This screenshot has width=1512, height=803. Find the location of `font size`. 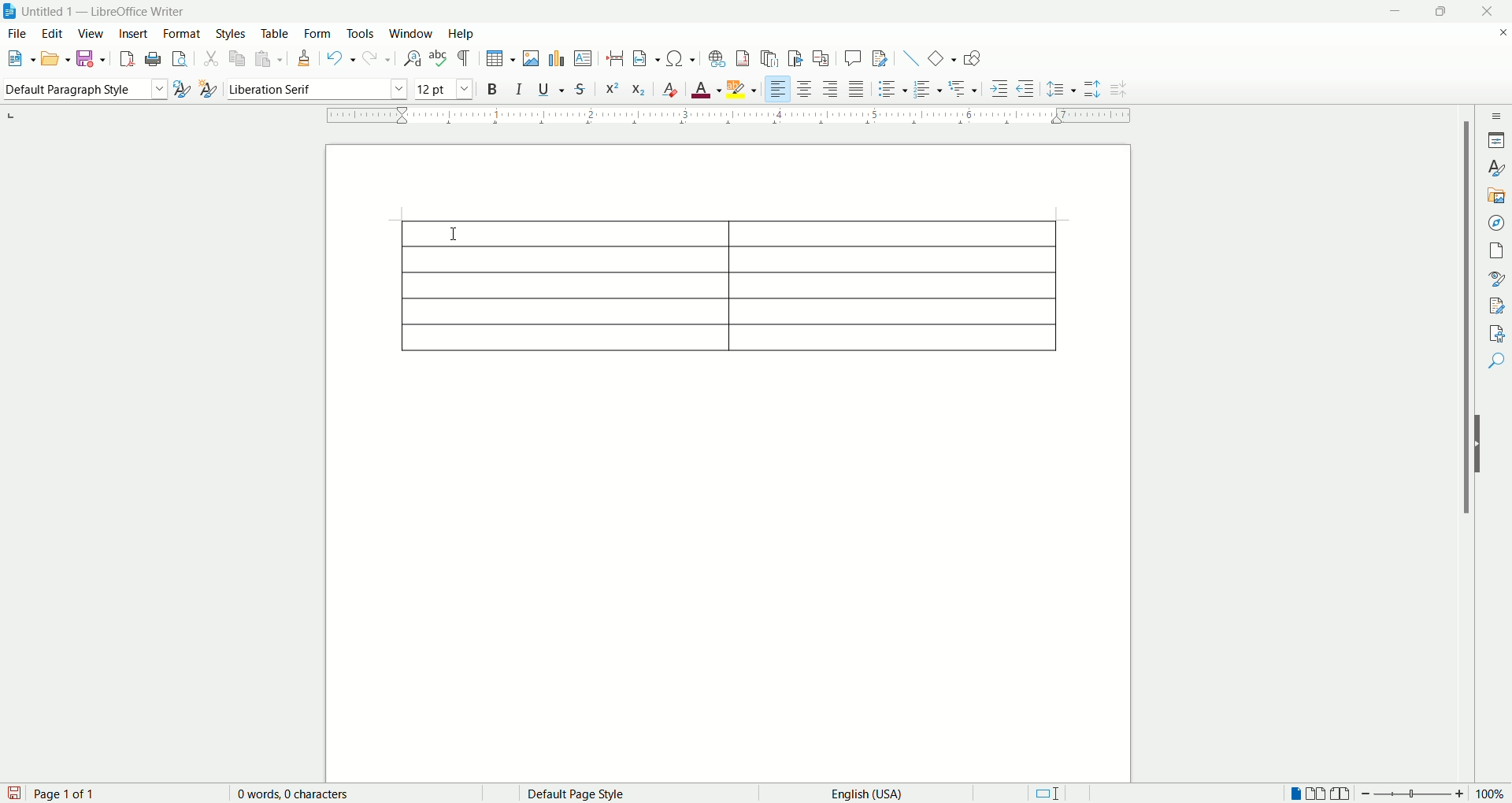

font size is located at coordinates (444, 88).